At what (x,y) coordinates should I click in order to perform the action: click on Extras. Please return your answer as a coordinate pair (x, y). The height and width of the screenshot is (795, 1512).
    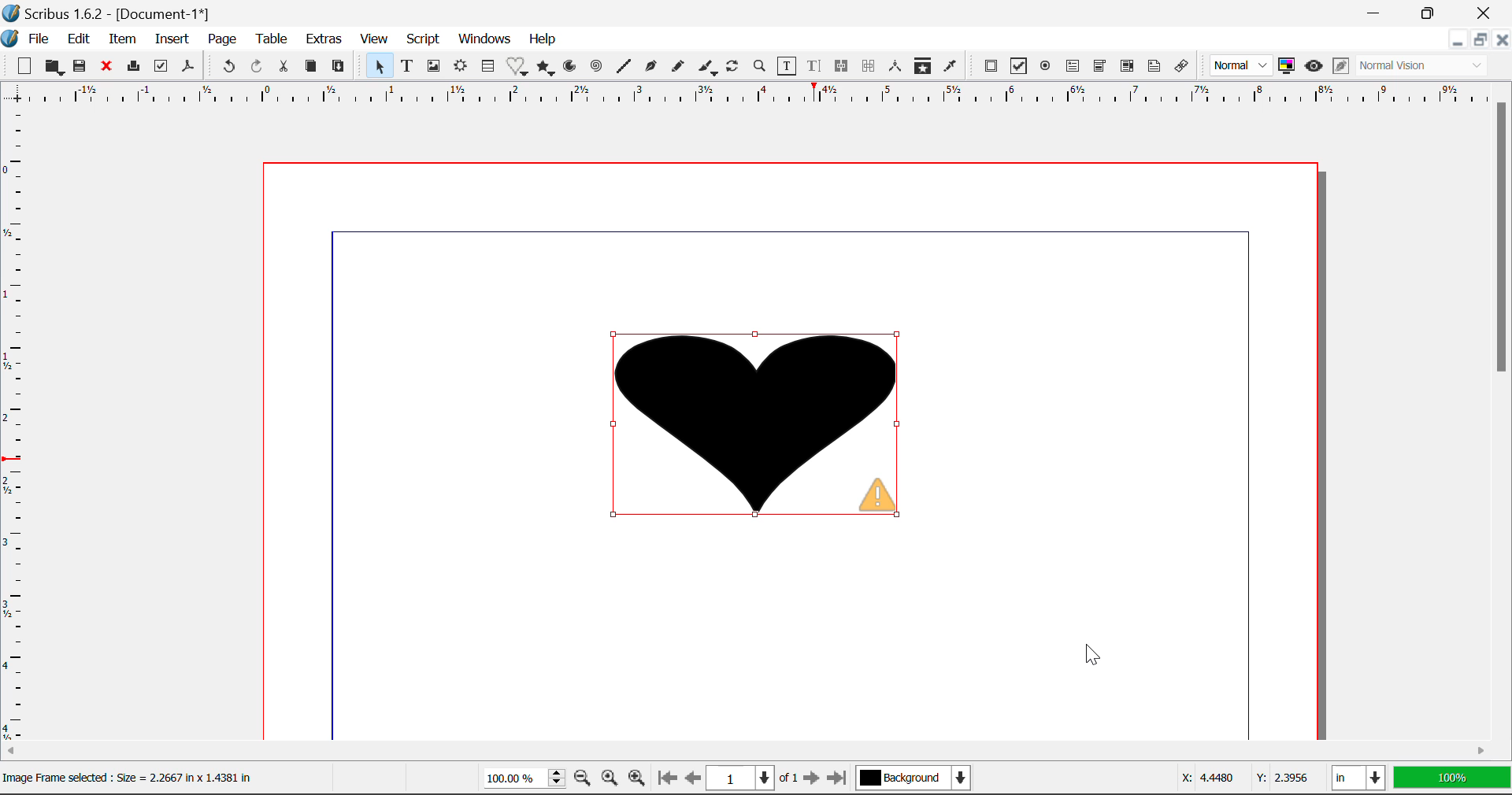
    Looking at the image, I should click on (327, 40).